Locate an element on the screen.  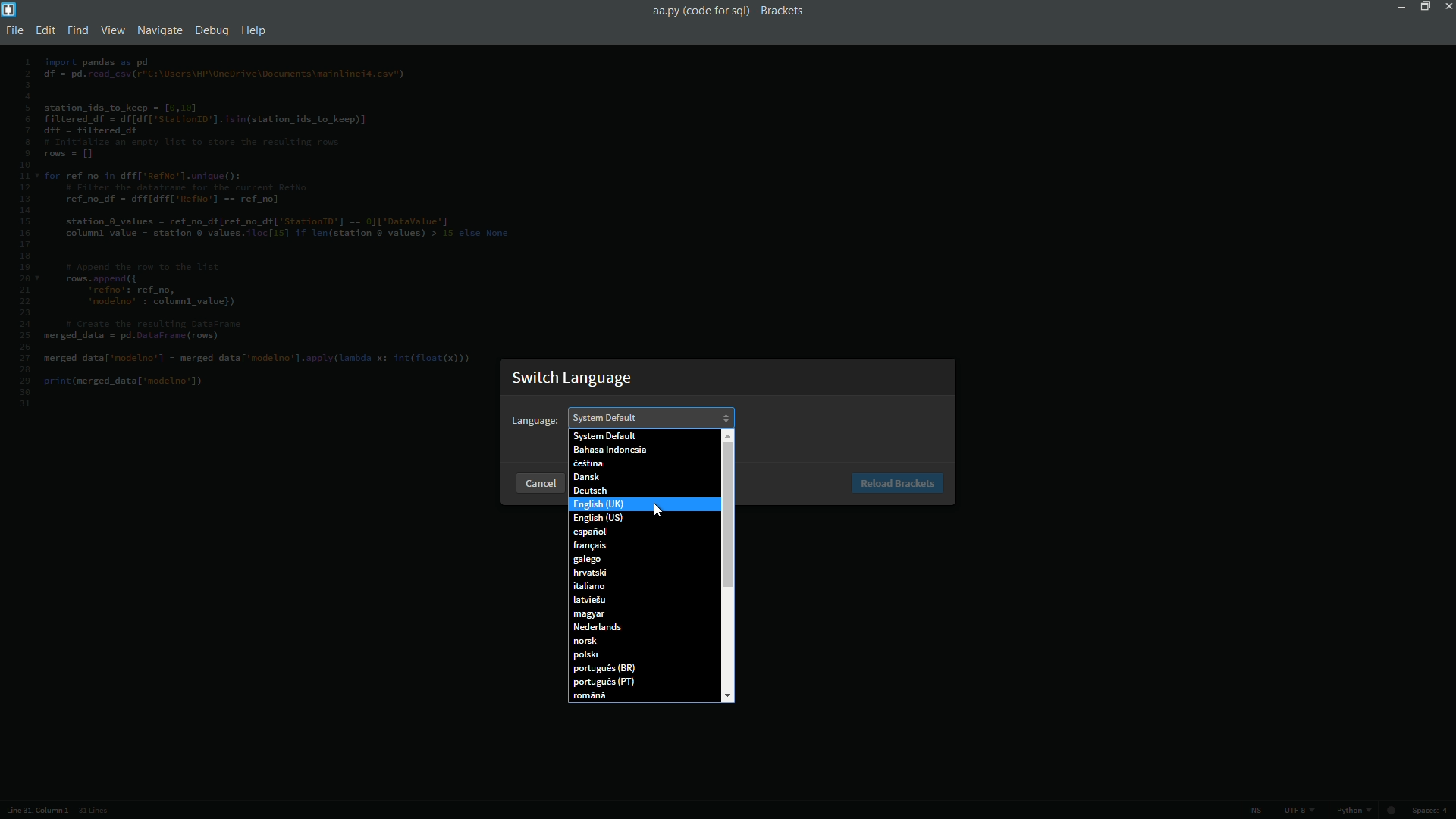
system default is located at coordinates (604, 436).